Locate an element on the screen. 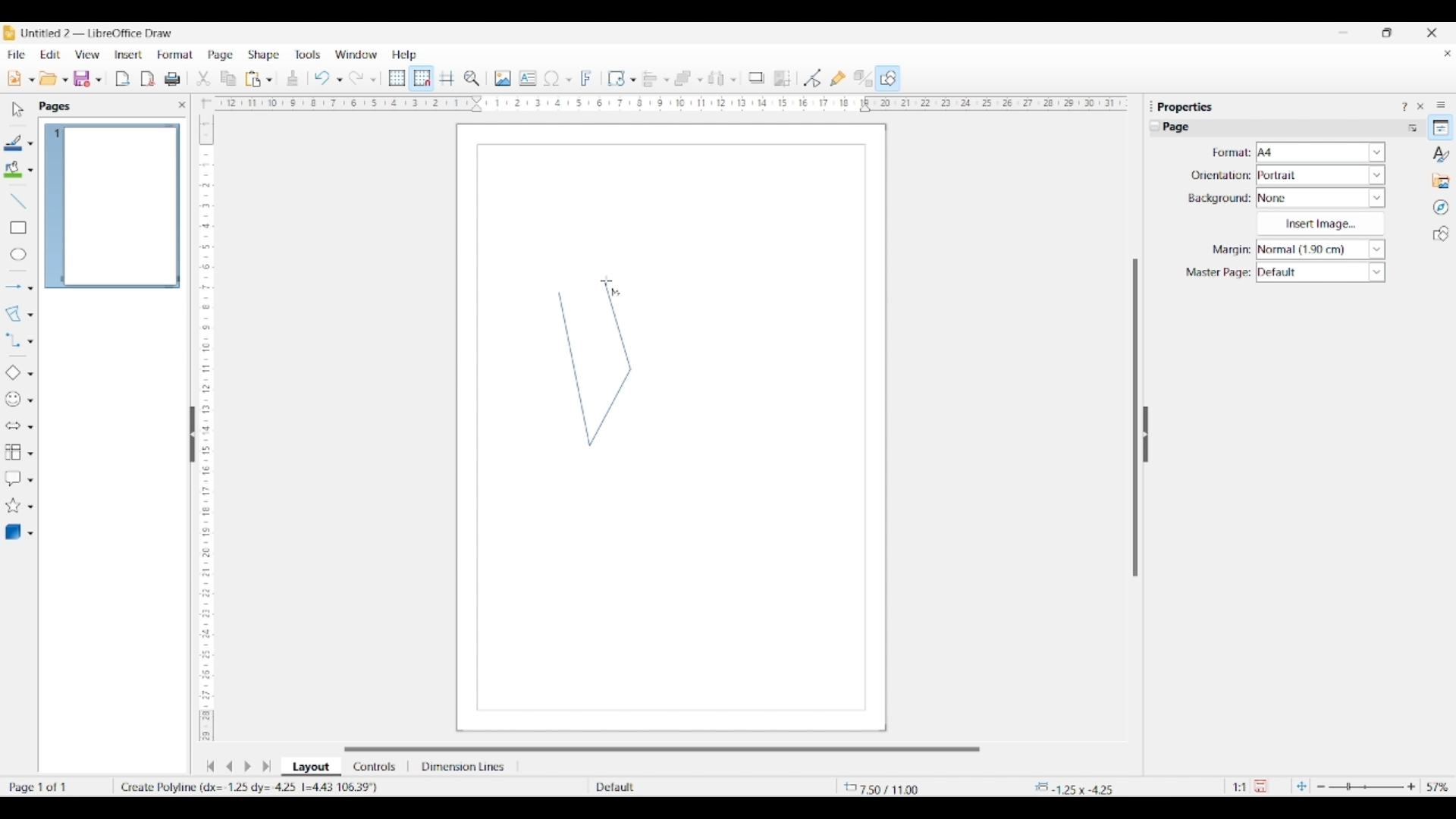 The height and width of the screenshot is (819, 1456). Line 3 is located at coordinates (617, 325).